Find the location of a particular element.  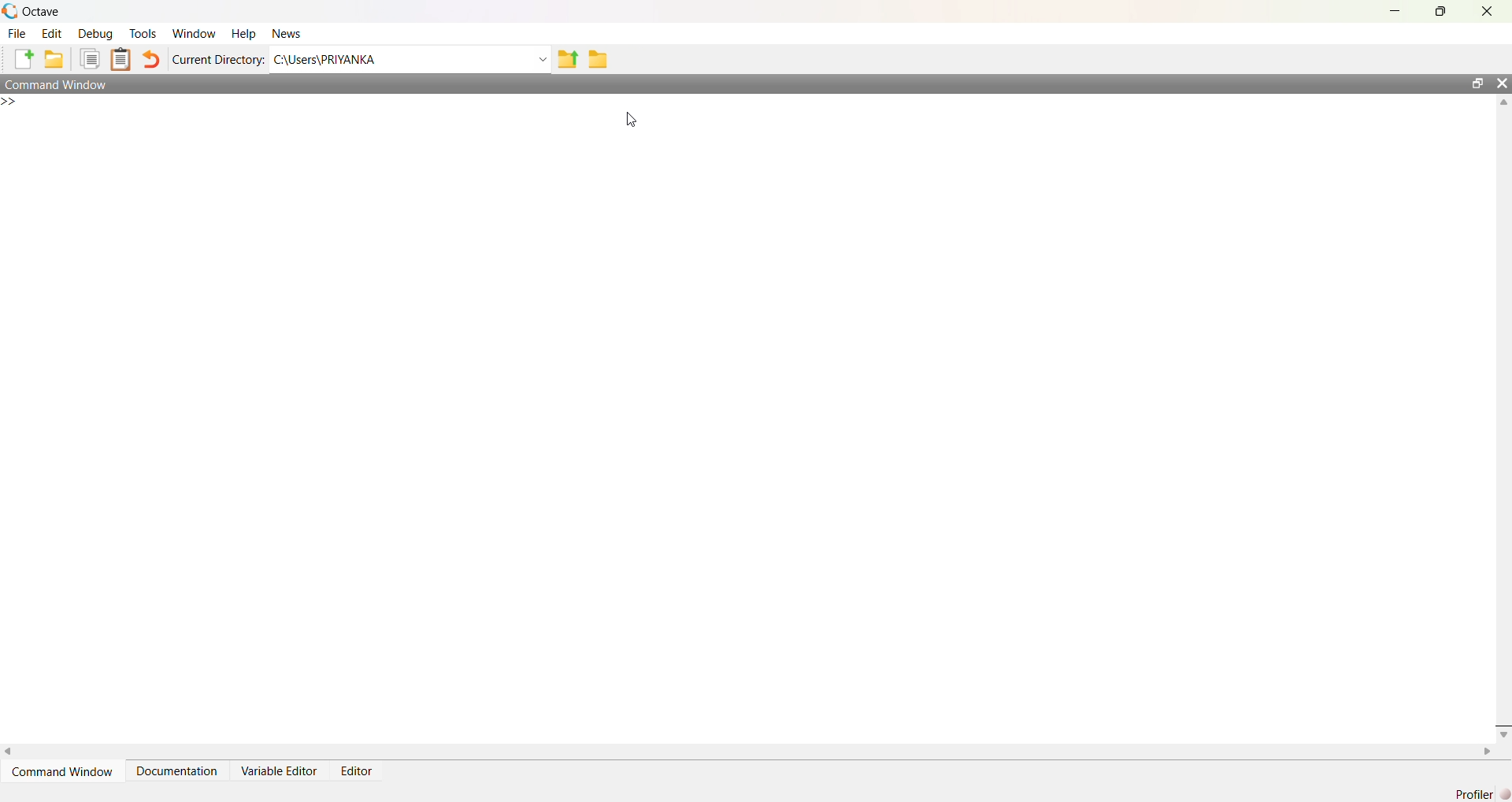

Files is located at coordinates (91, 60).